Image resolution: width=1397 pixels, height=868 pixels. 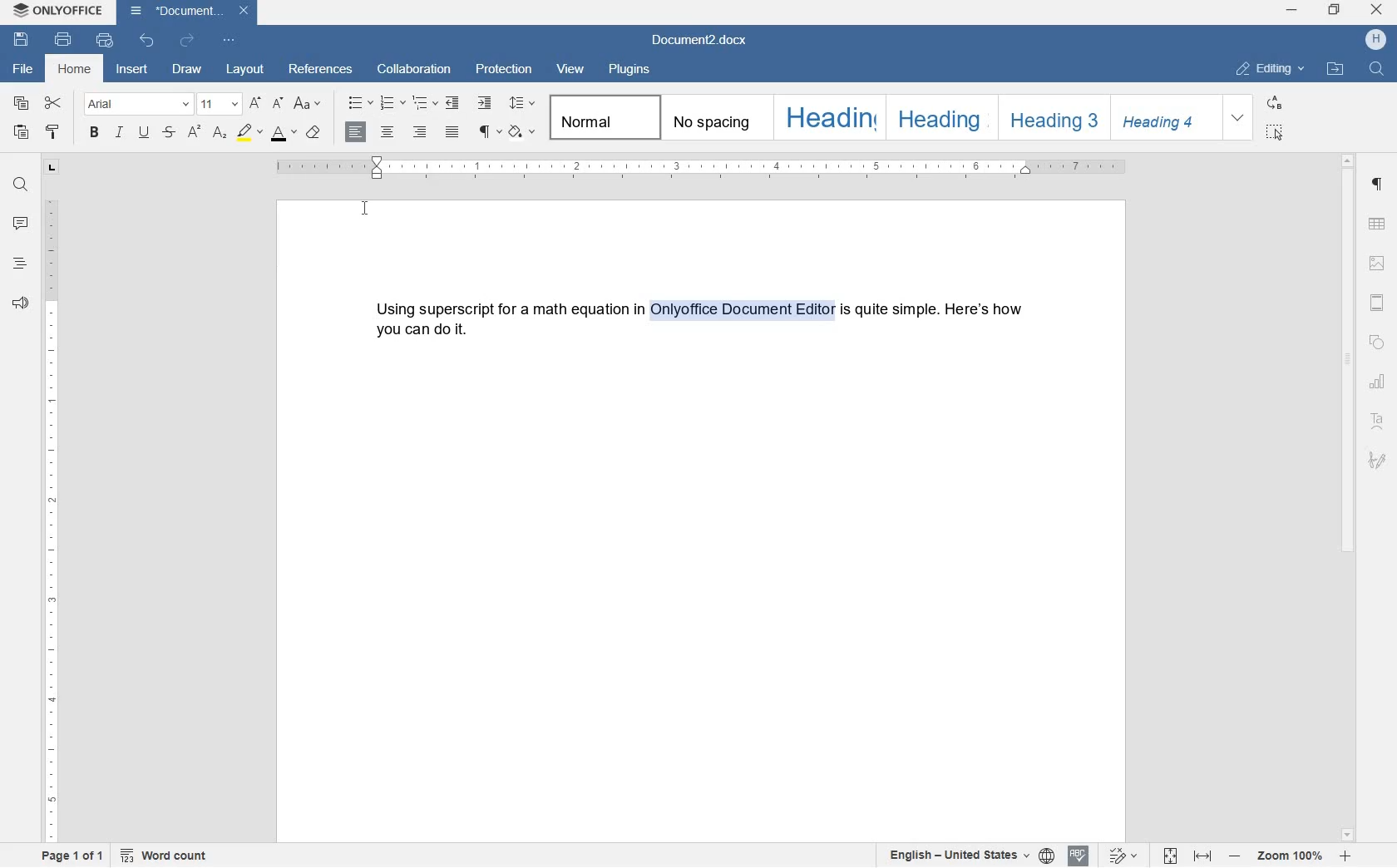 I want to click on ONLYOFFICE, so click(x=57, y=11).